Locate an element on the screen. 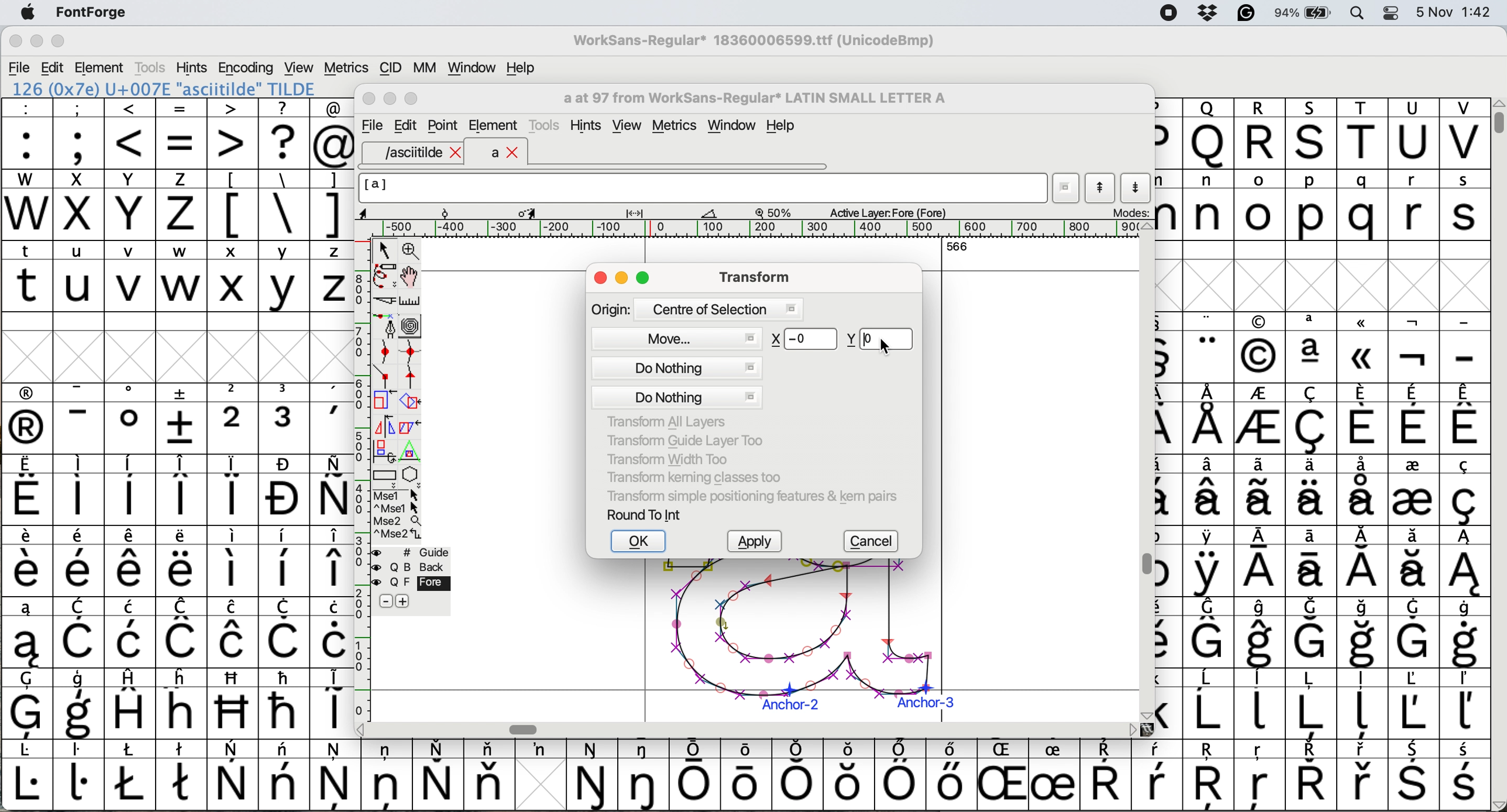 This screenshot has width=1507, height=812. star or polygon is located at coordinates (411, 474).